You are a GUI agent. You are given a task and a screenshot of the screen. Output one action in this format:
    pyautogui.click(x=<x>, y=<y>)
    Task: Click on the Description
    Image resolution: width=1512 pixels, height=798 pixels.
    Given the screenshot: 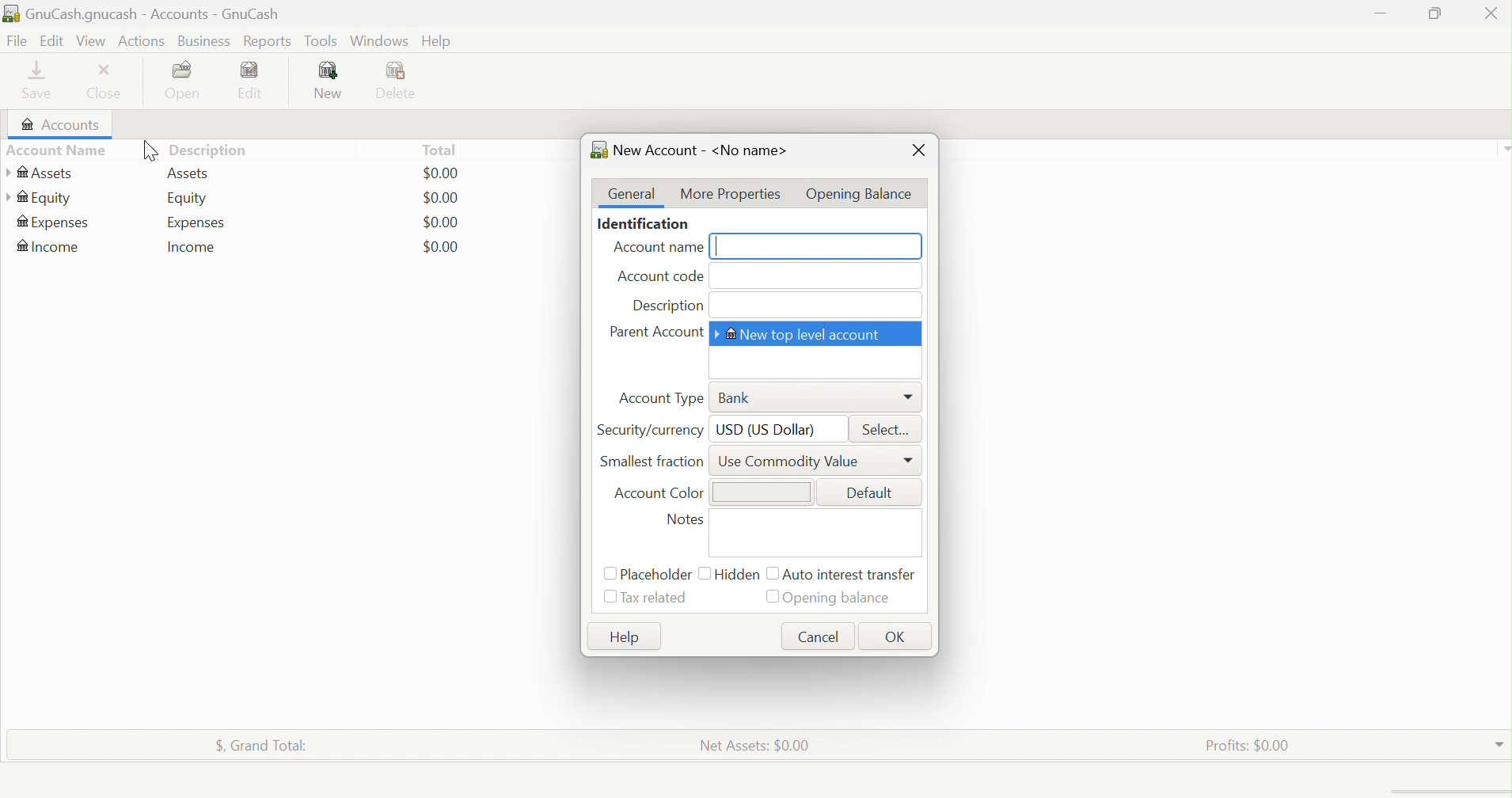 What is the action you would take?
    pyautogui.click(x=667, y=306)
    